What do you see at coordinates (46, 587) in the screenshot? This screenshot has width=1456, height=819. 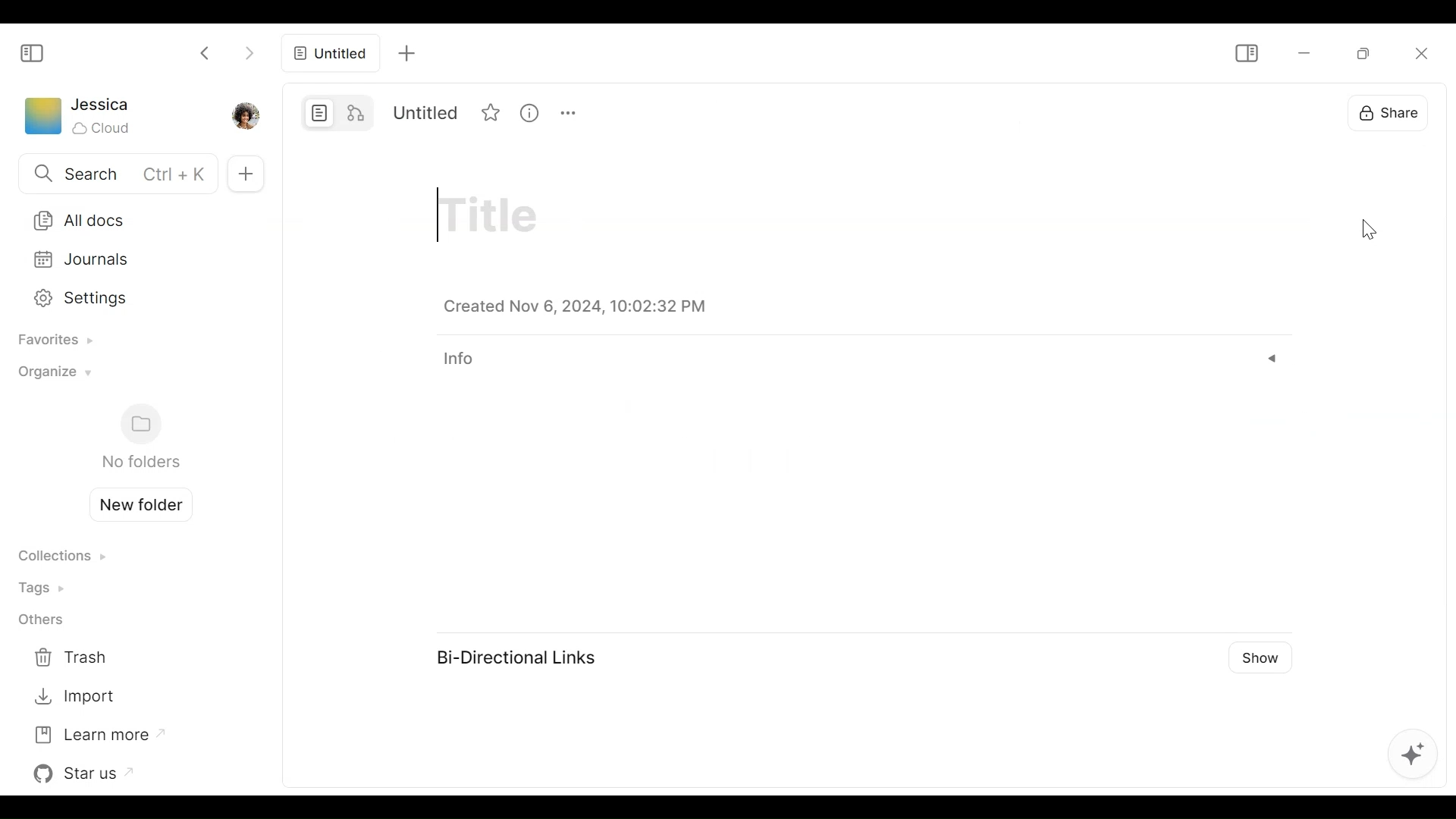 I see `Tags` at bounding box center [46, 587].